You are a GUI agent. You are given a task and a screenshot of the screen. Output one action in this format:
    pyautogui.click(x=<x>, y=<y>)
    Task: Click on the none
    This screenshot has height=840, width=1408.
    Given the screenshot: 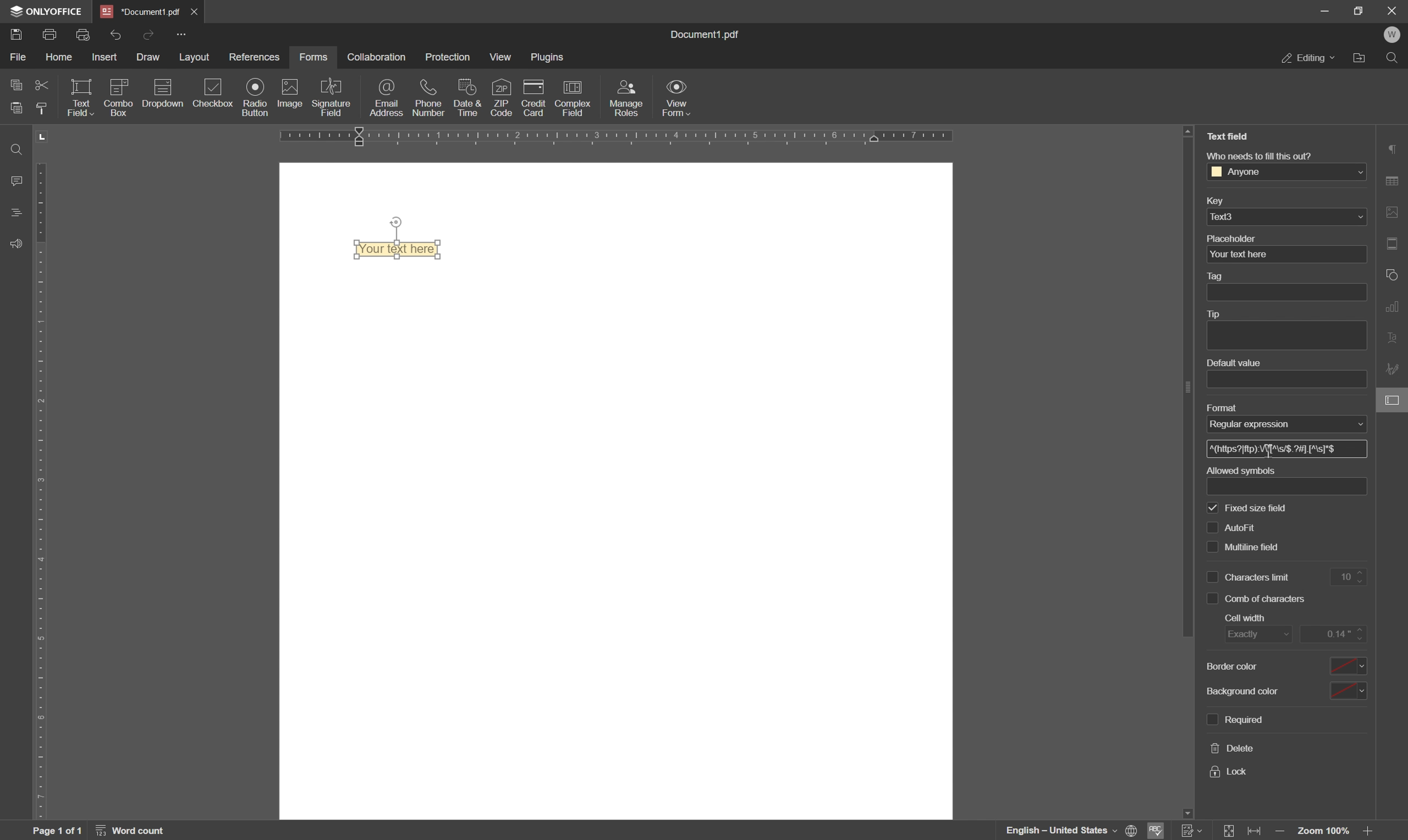 What is the action you would take?
    pyautogui.click(x=1281, y=423)
    